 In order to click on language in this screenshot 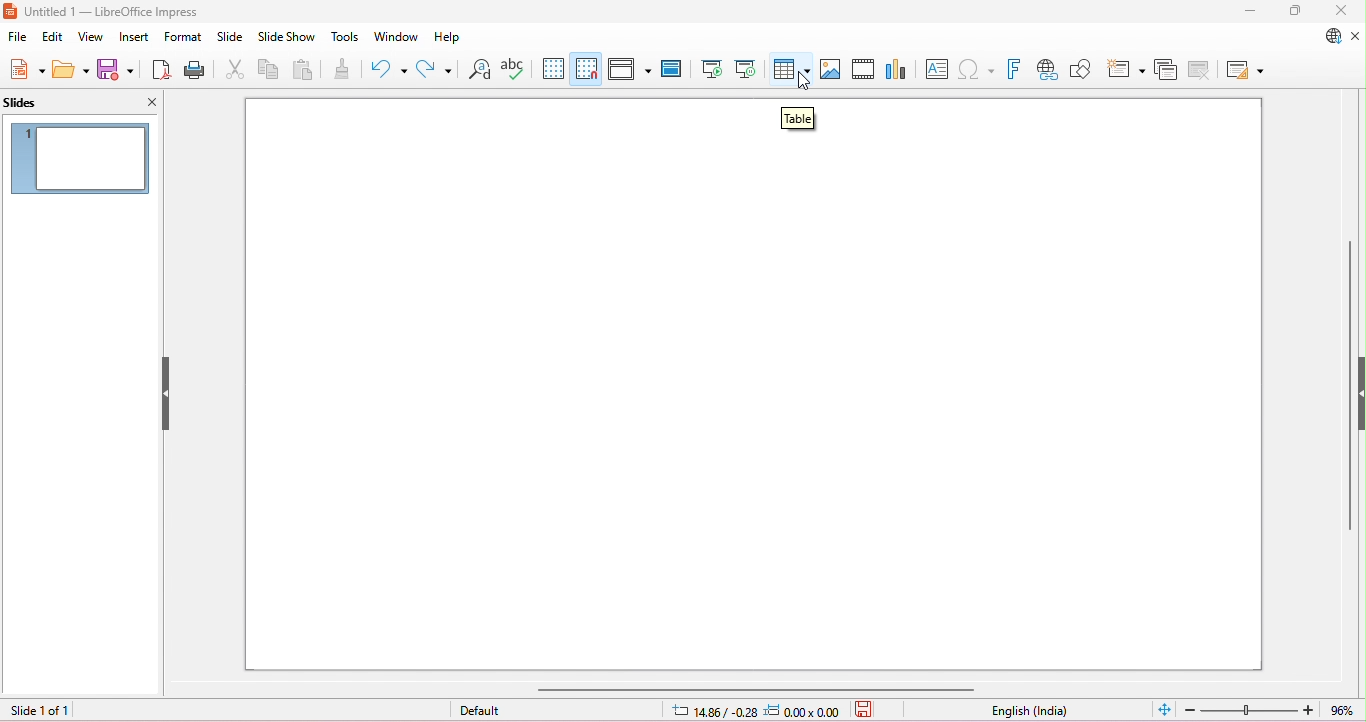, I will do `click(1029, 712)`.